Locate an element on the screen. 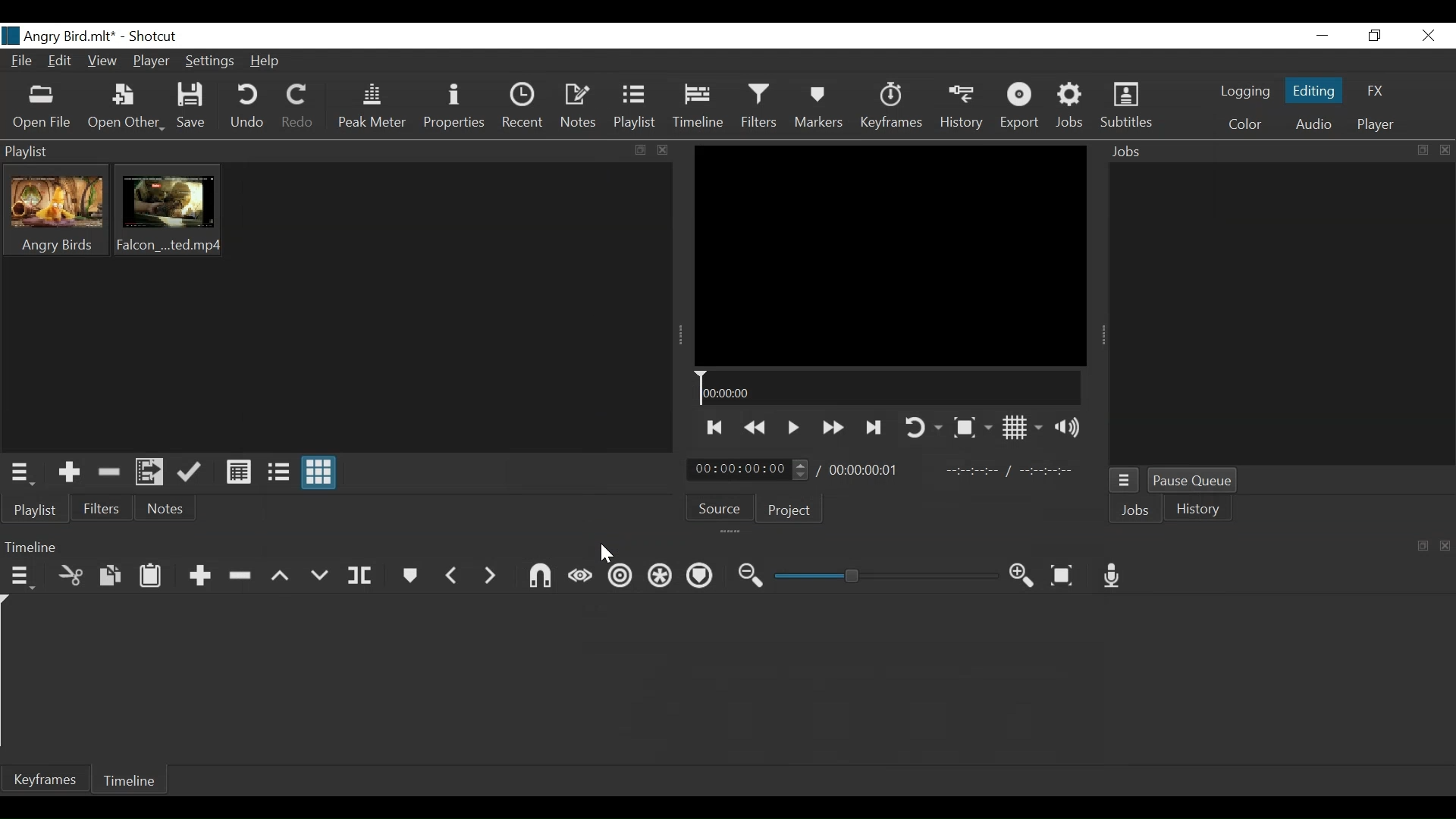 The image size is (1456, 819). Recent is located at coordinates (526, 108).